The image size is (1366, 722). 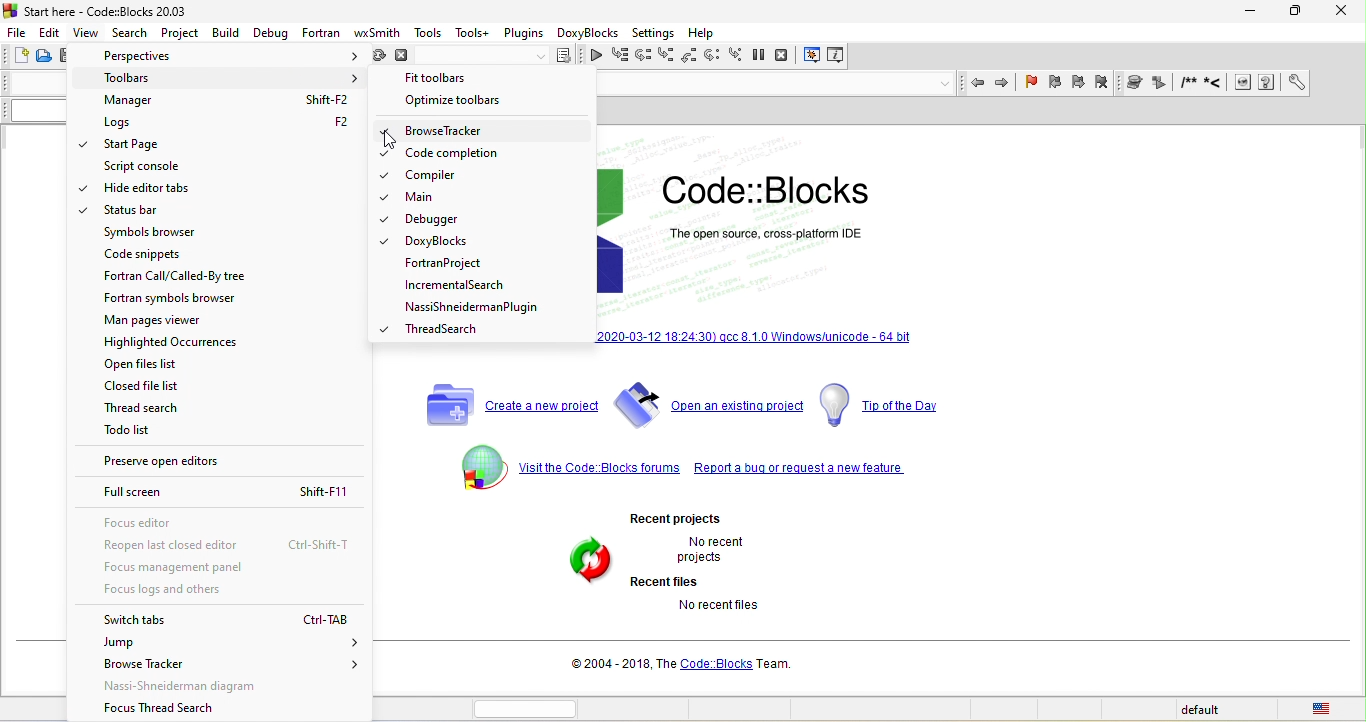 What do you see at coordinates (166, 324) in the screenshot?
I see `man pages viewer` at bounding box center [166, 324].